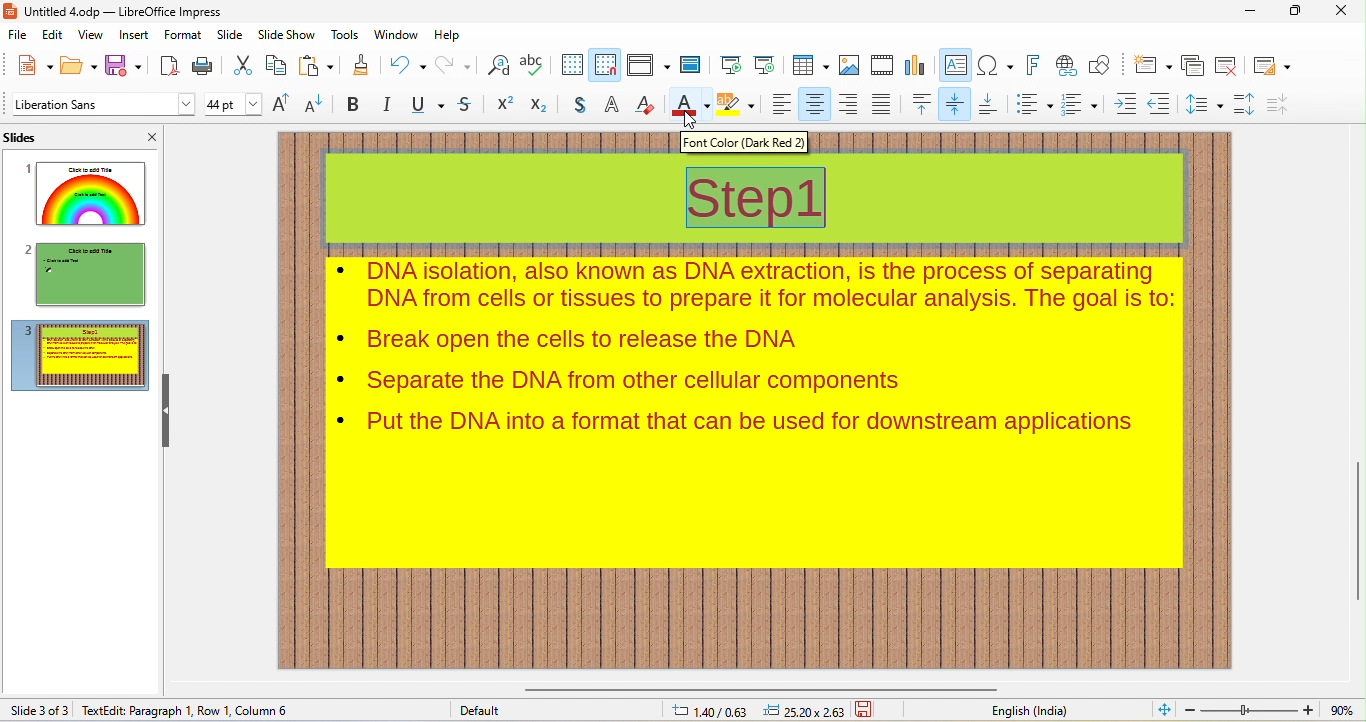 The image size is (1366, 722). Describe the element at coordinates (570, 63) in the screenshot. I see `display grid` at that location.